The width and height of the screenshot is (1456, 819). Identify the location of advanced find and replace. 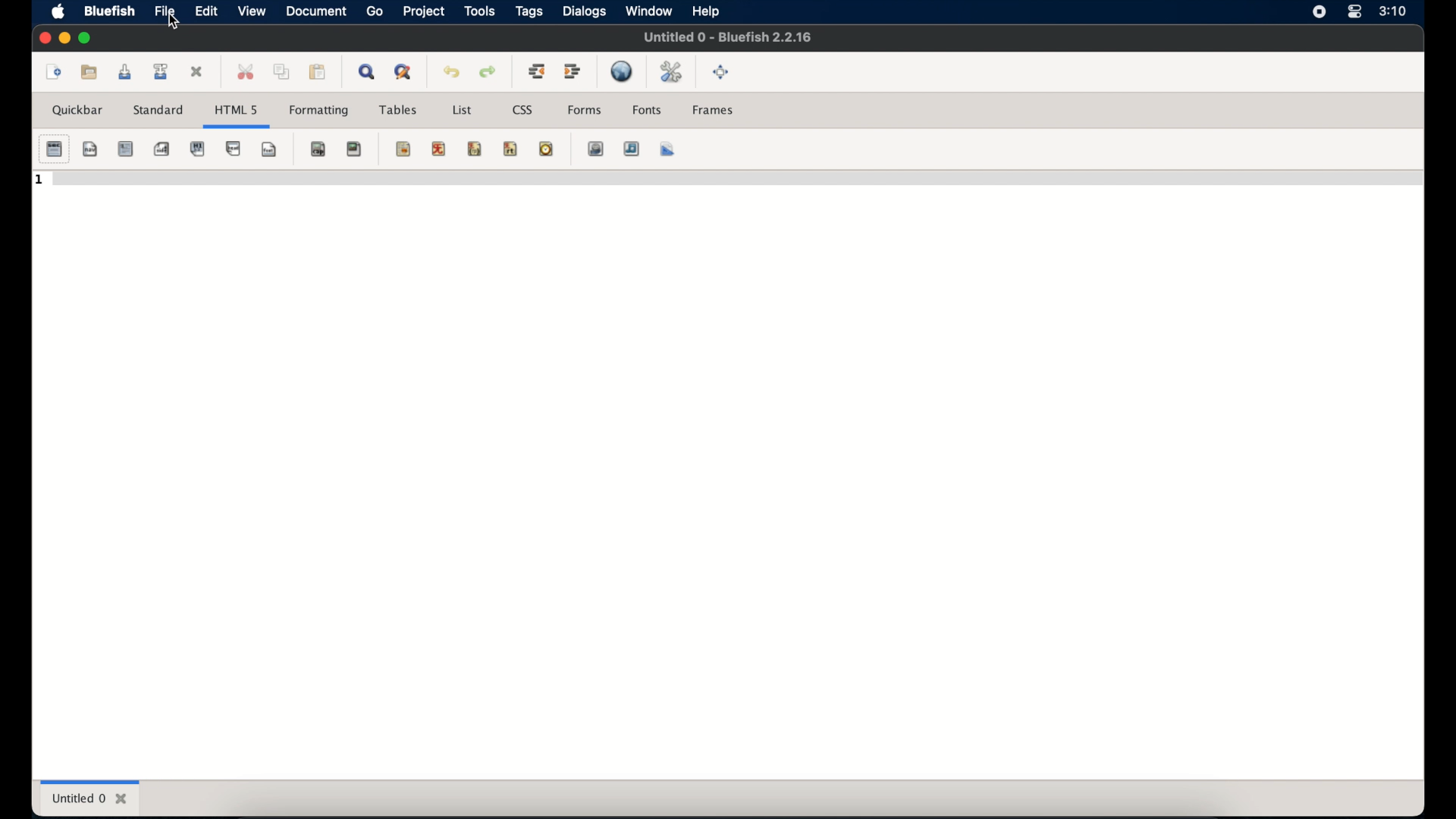
(404, 73).